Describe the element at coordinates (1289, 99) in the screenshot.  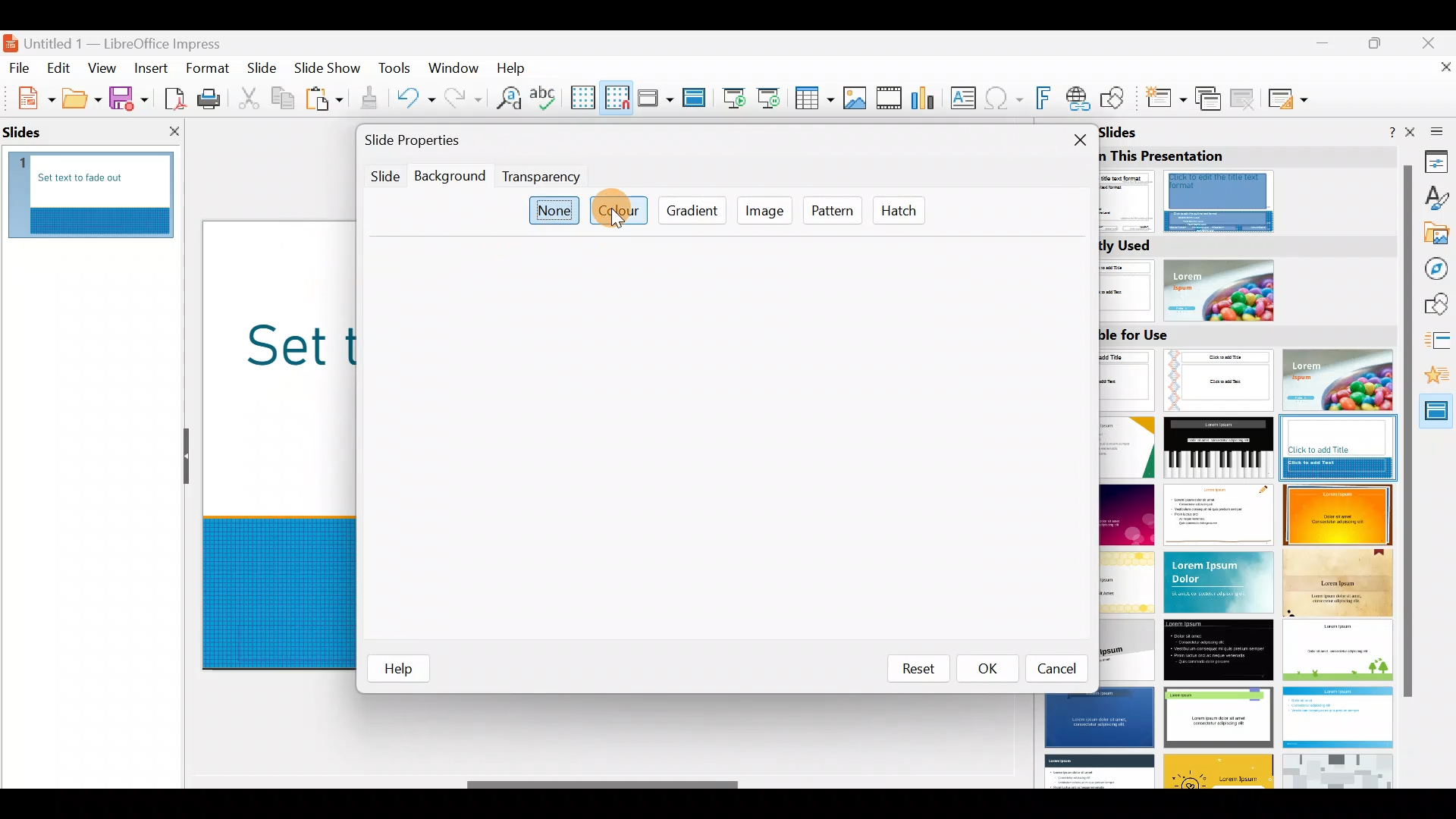
I see `Slide layout` at that location.